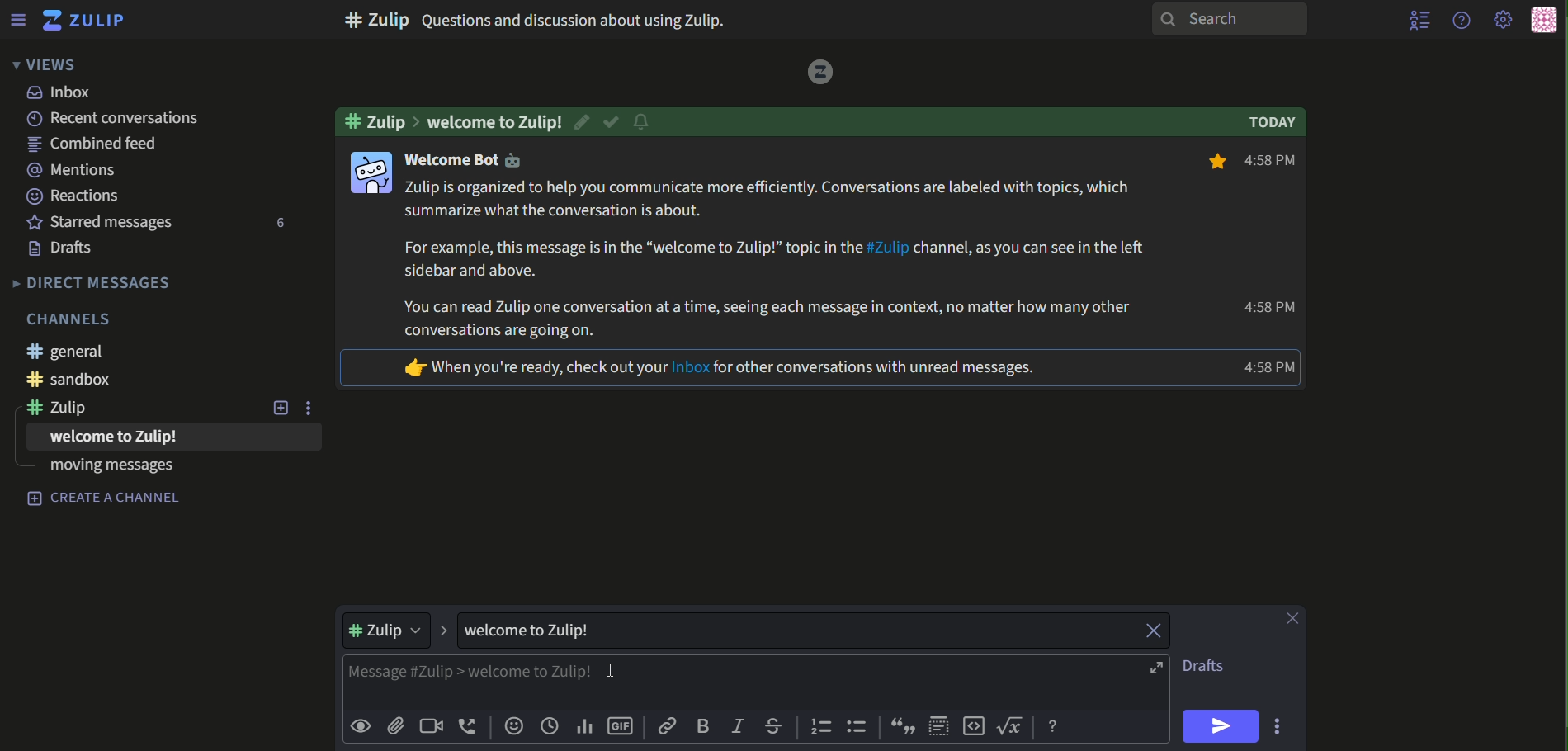  Describe the element at coordinates (1280, 725) in the screenshot. I see `options` at that location.